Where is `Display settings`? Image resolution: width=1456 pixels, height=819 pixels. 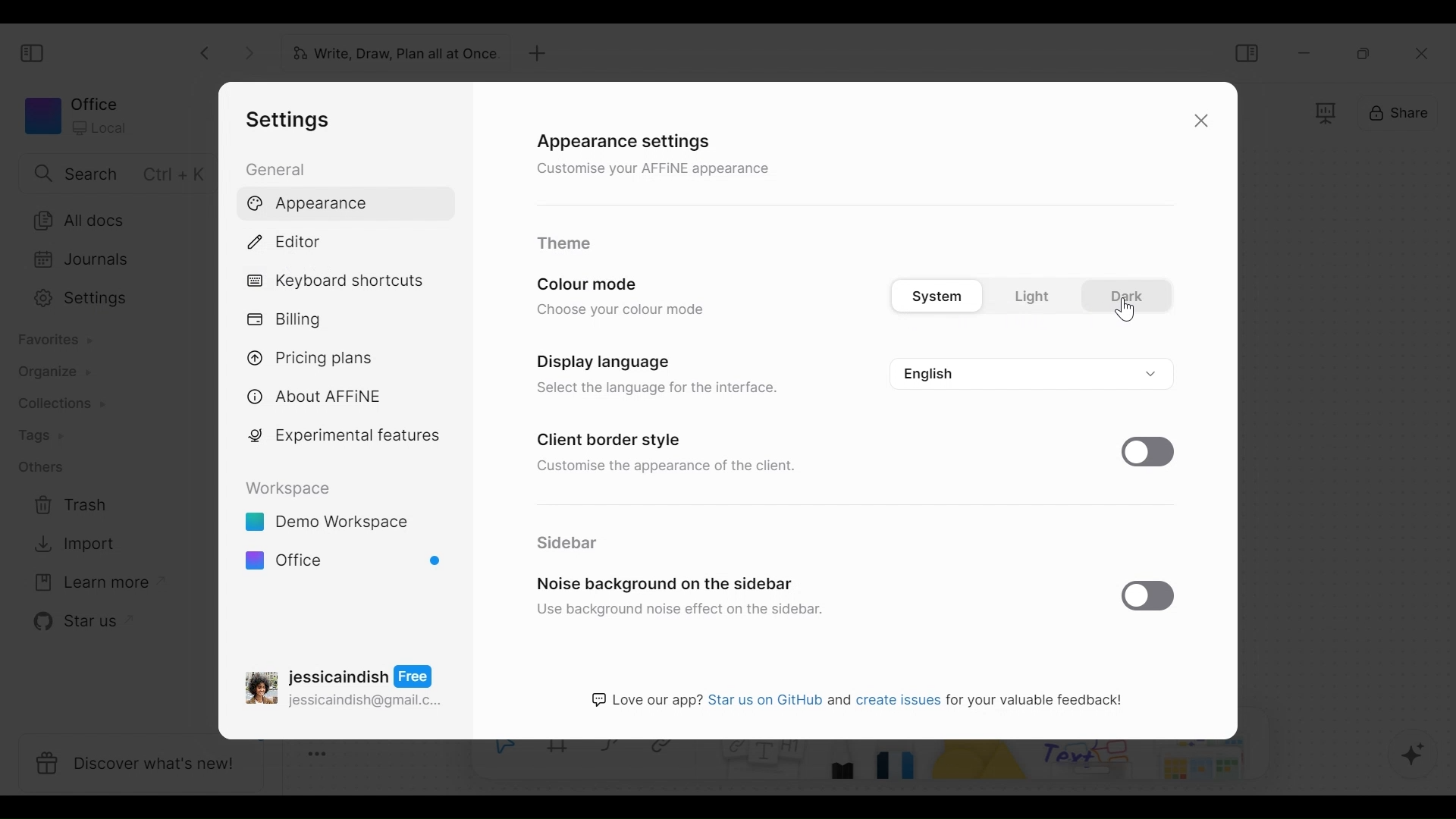 Display settings is located at coordinates (654, 372).